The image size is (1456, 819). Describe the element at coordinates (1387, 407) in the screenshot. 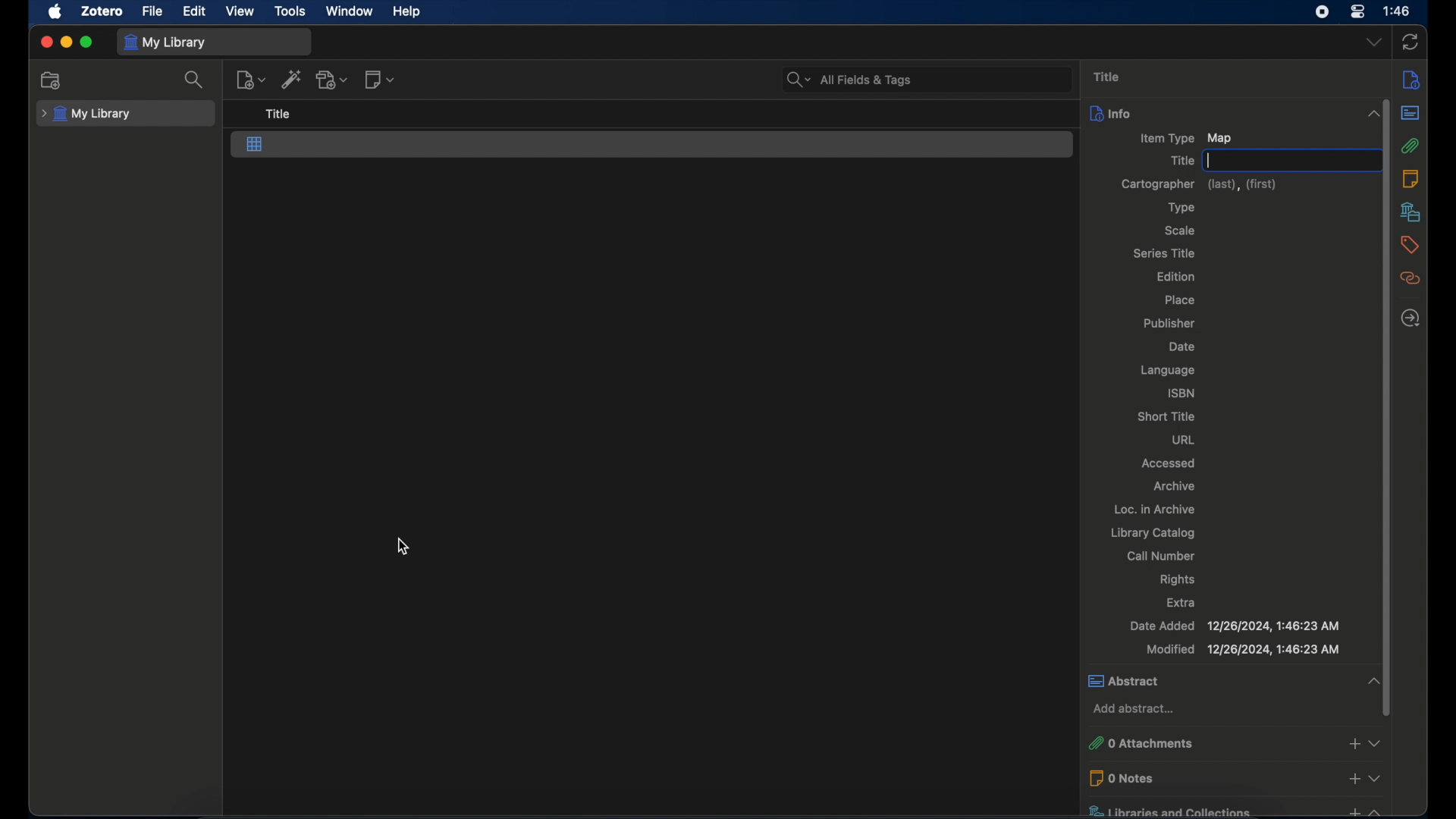

I see `vertical scroll bar` at that location.